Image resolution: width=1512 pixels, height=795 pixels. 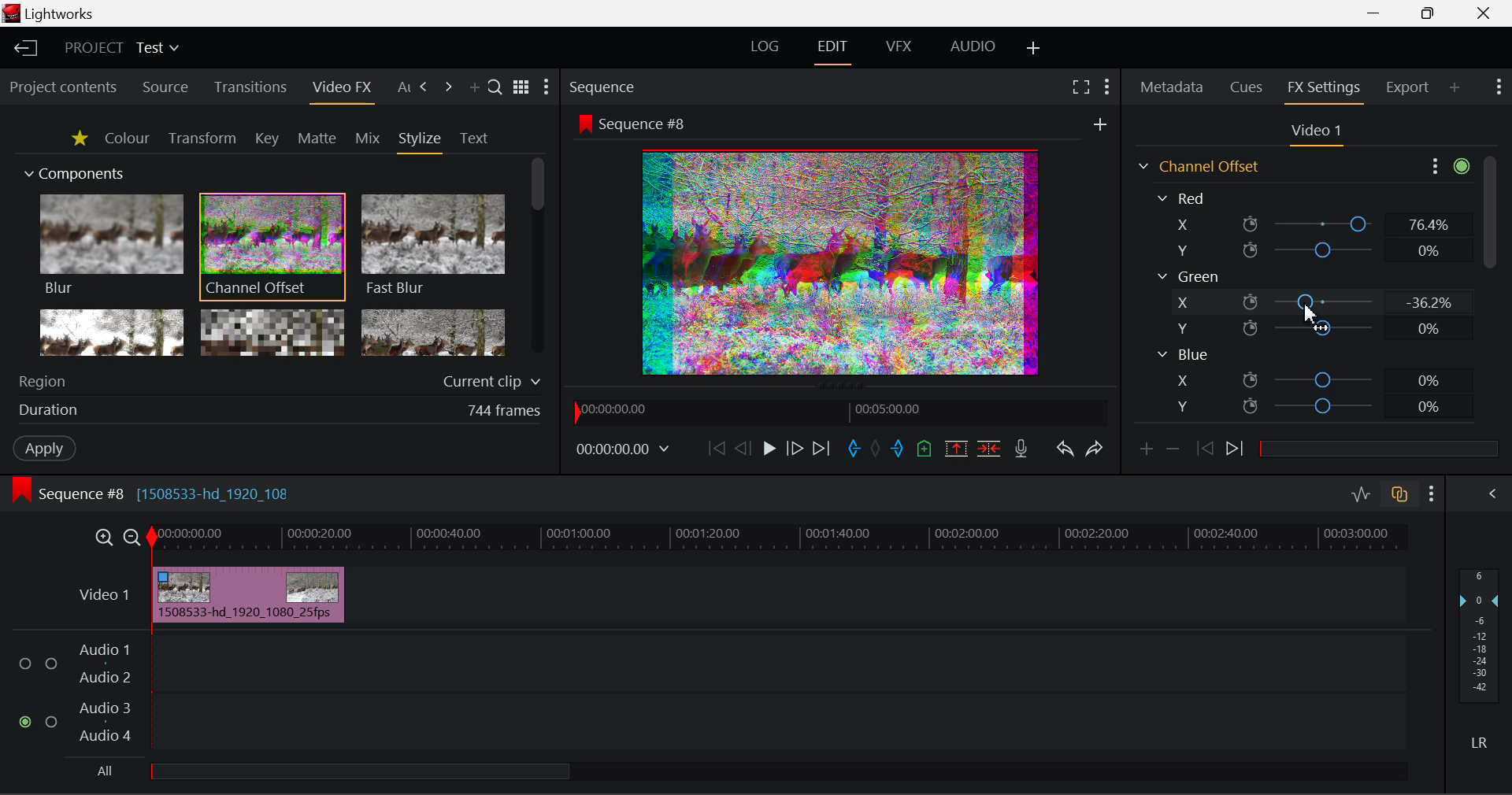 I want to click on Metadata Tab, so click(x=1170, y=87).